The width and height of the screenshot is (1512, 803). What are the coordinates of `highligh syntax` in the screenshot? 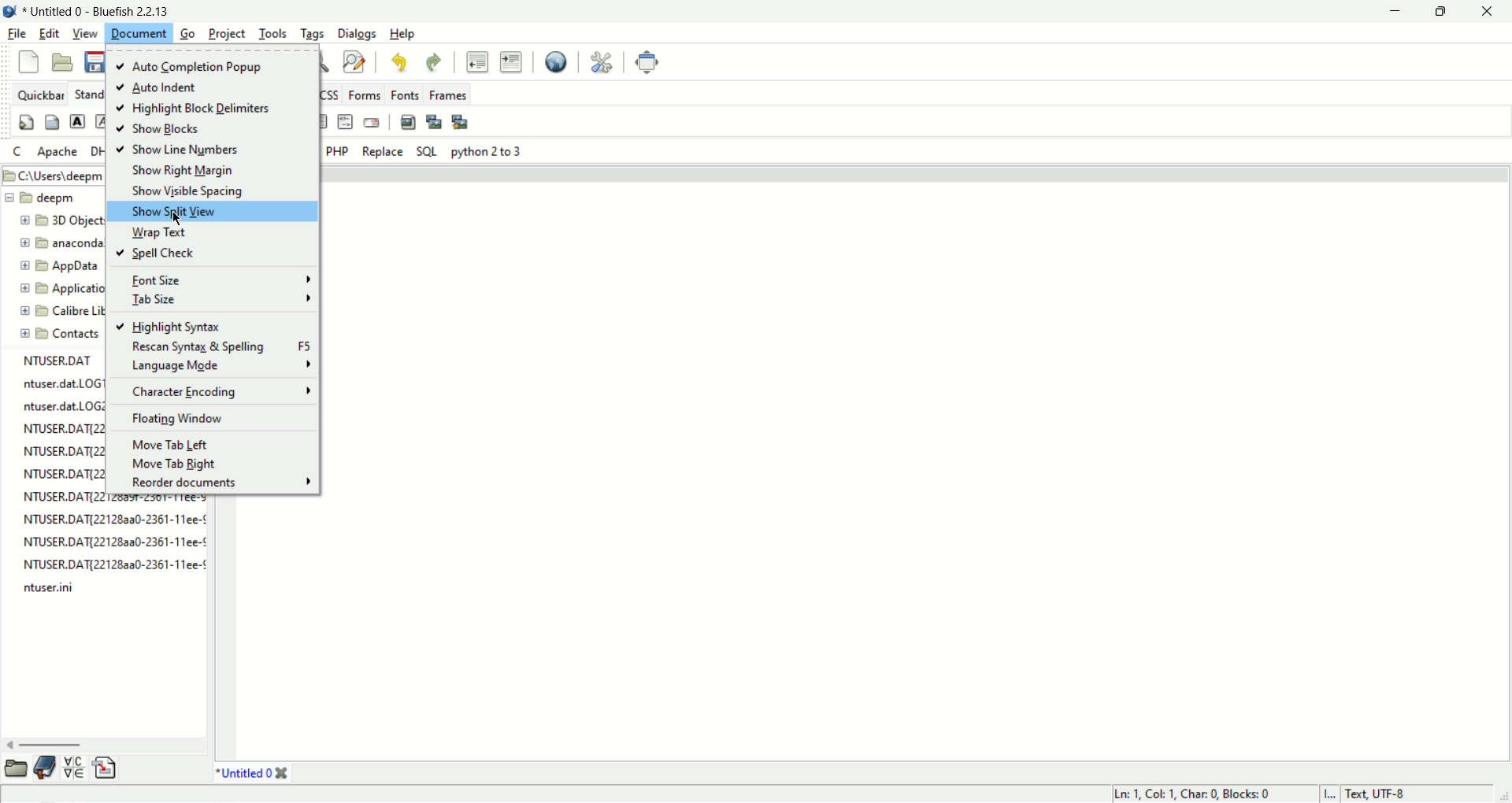 It's located at (170, 327).